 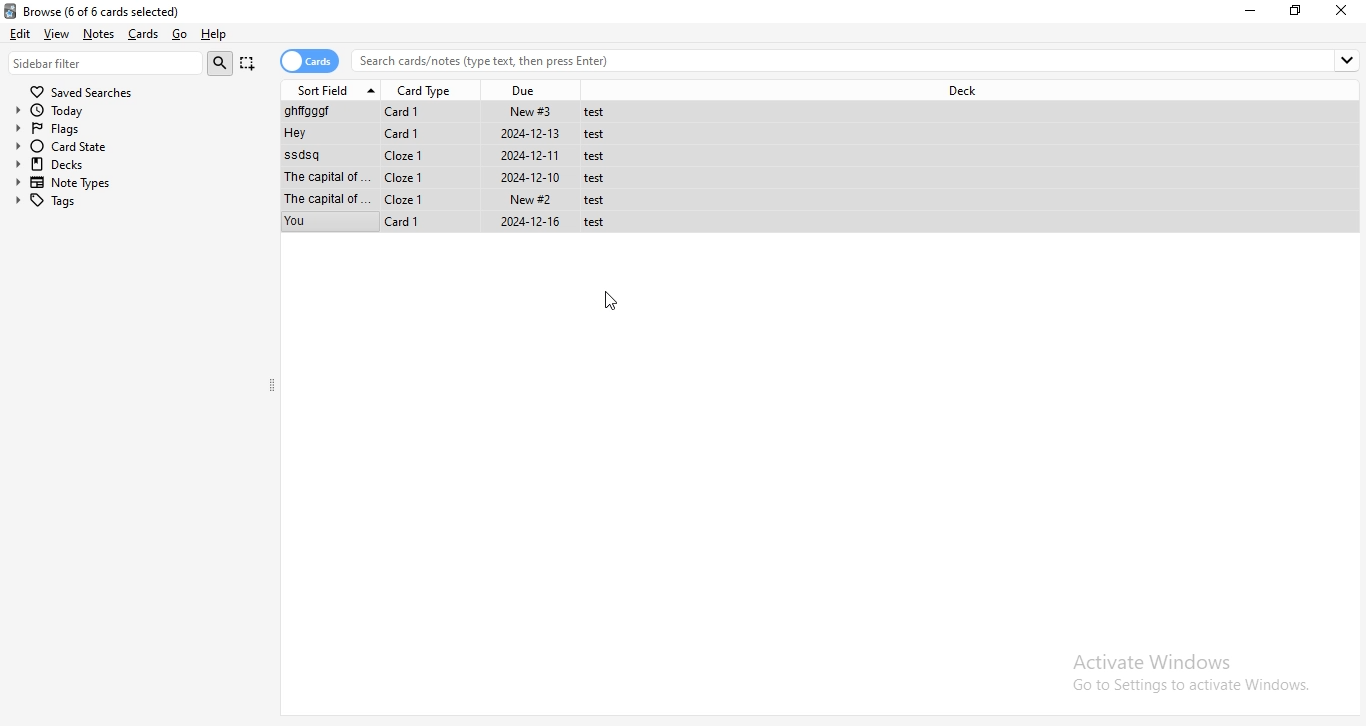 What do you see at coordinates (334, 89) in the screenshot?
I see `sort field` at bounding box center [334, 89].